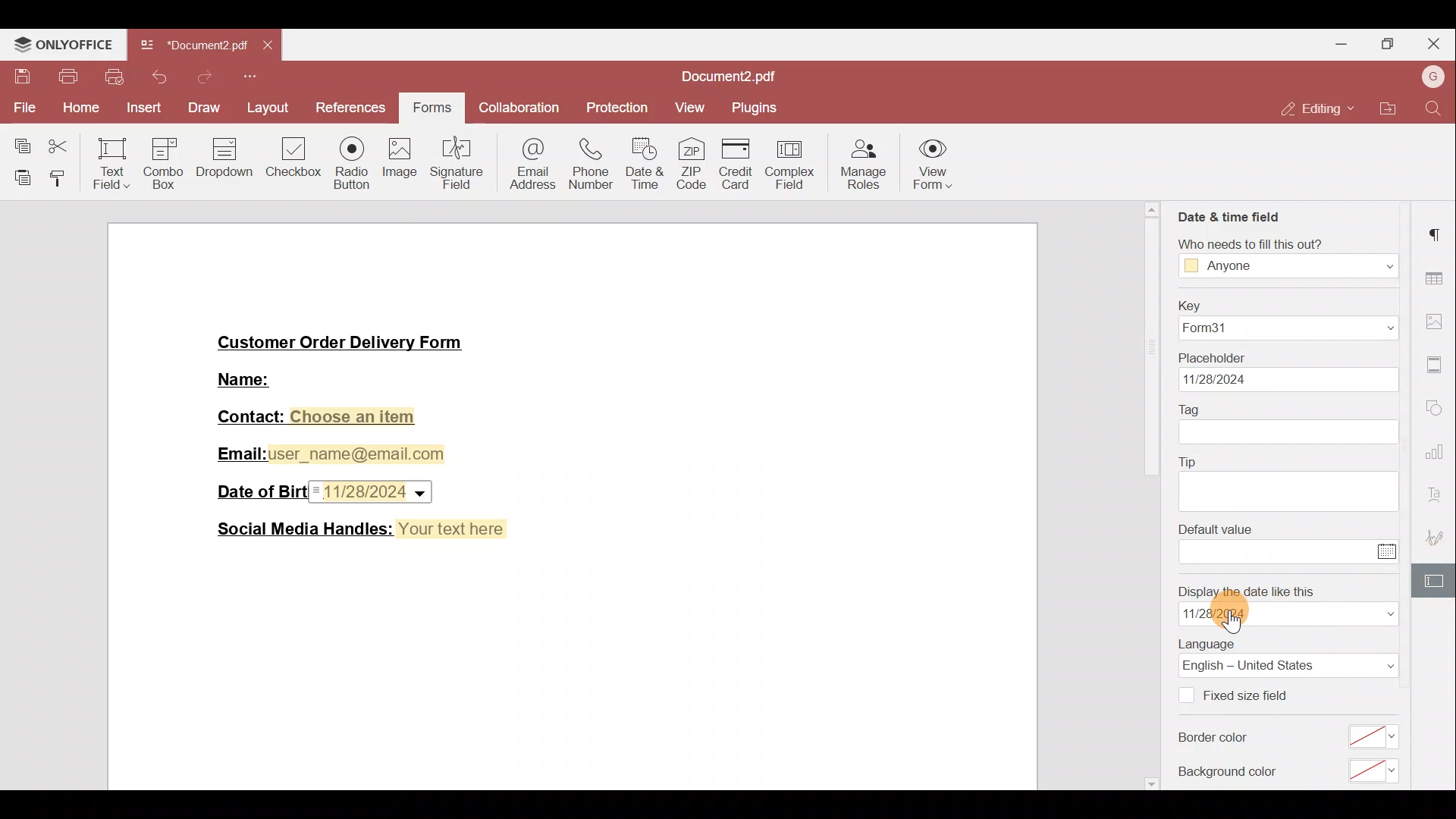 Image resolution: width=1456 pixels, height=819 pixels. Describe the element at coordinates (77, 109) in the screenshot. I see `Home` at that location.